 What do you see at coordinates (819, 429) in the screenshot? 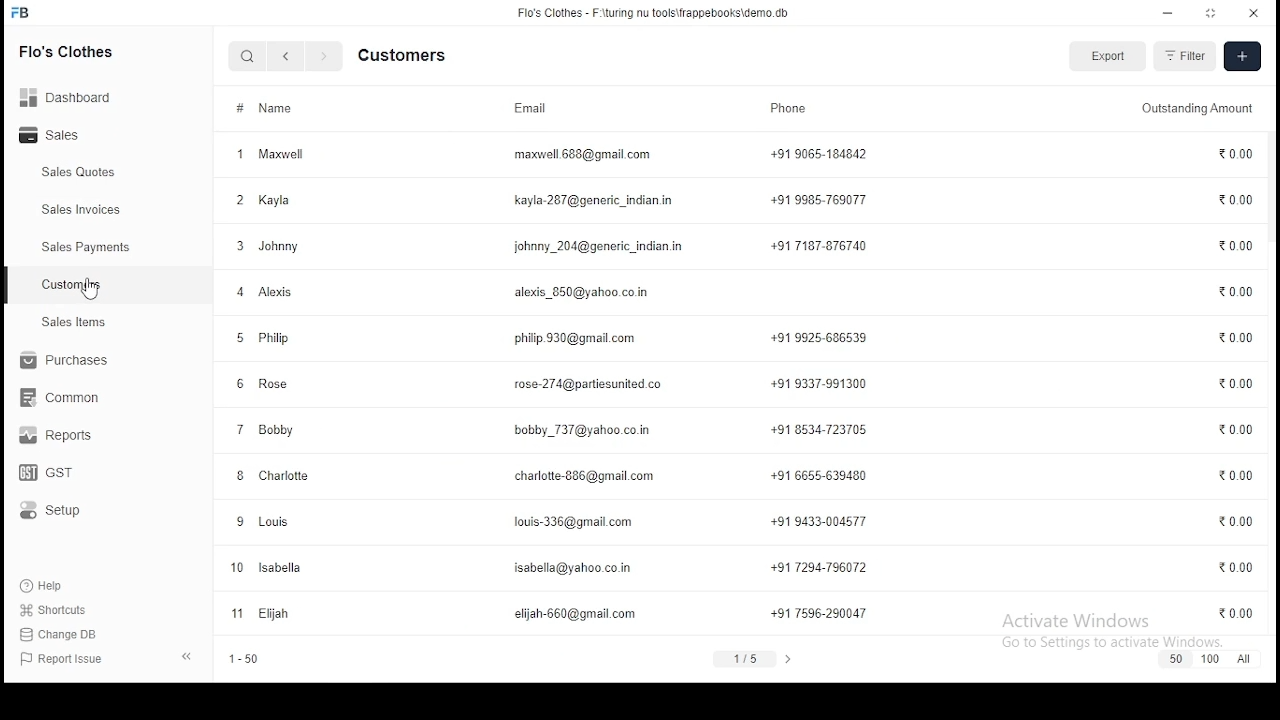
I see `+91 8534-723705` at bounding box center [819, 429].